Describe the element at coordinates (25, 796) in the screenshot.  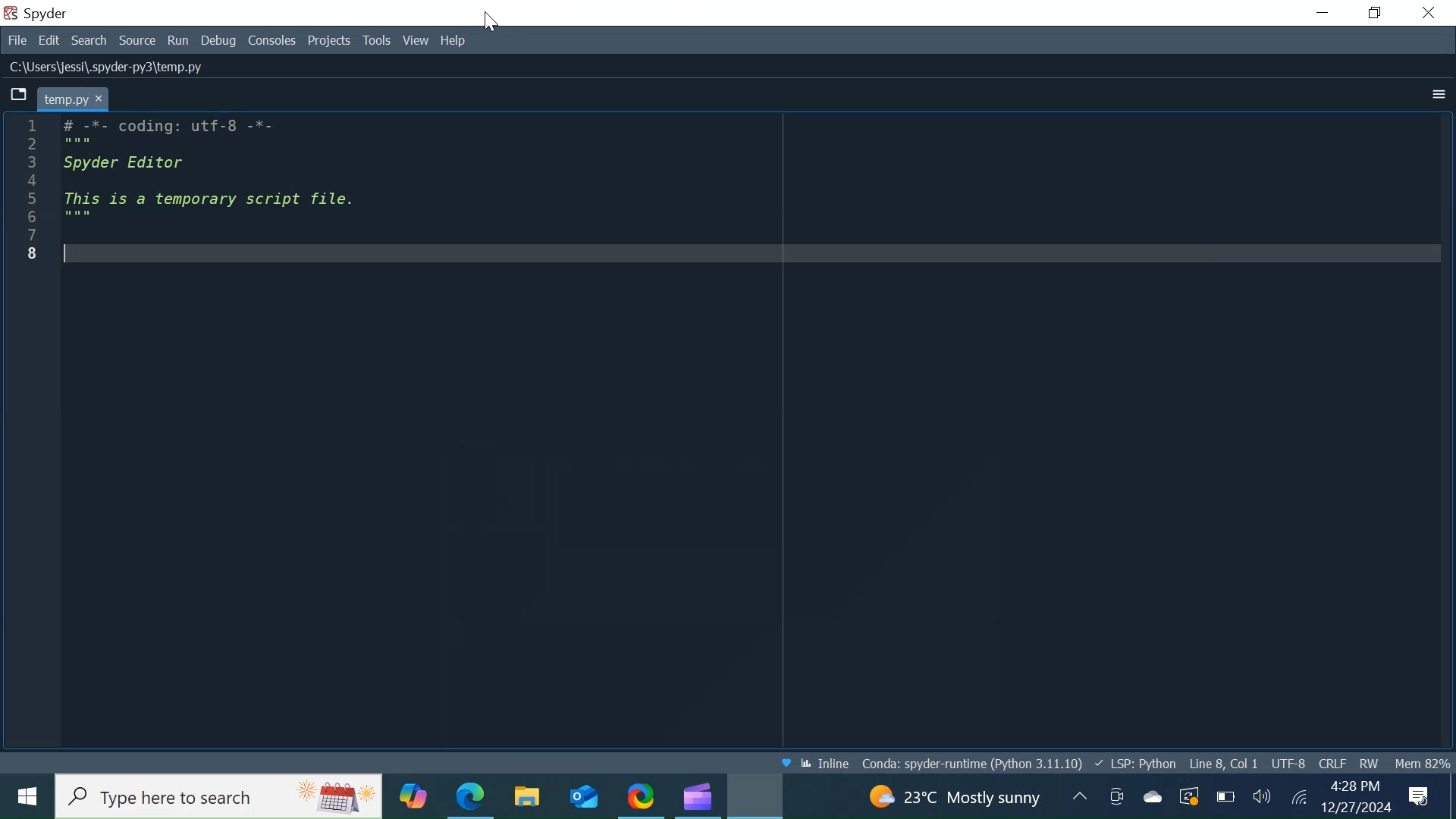
I see `Windows` at that location.